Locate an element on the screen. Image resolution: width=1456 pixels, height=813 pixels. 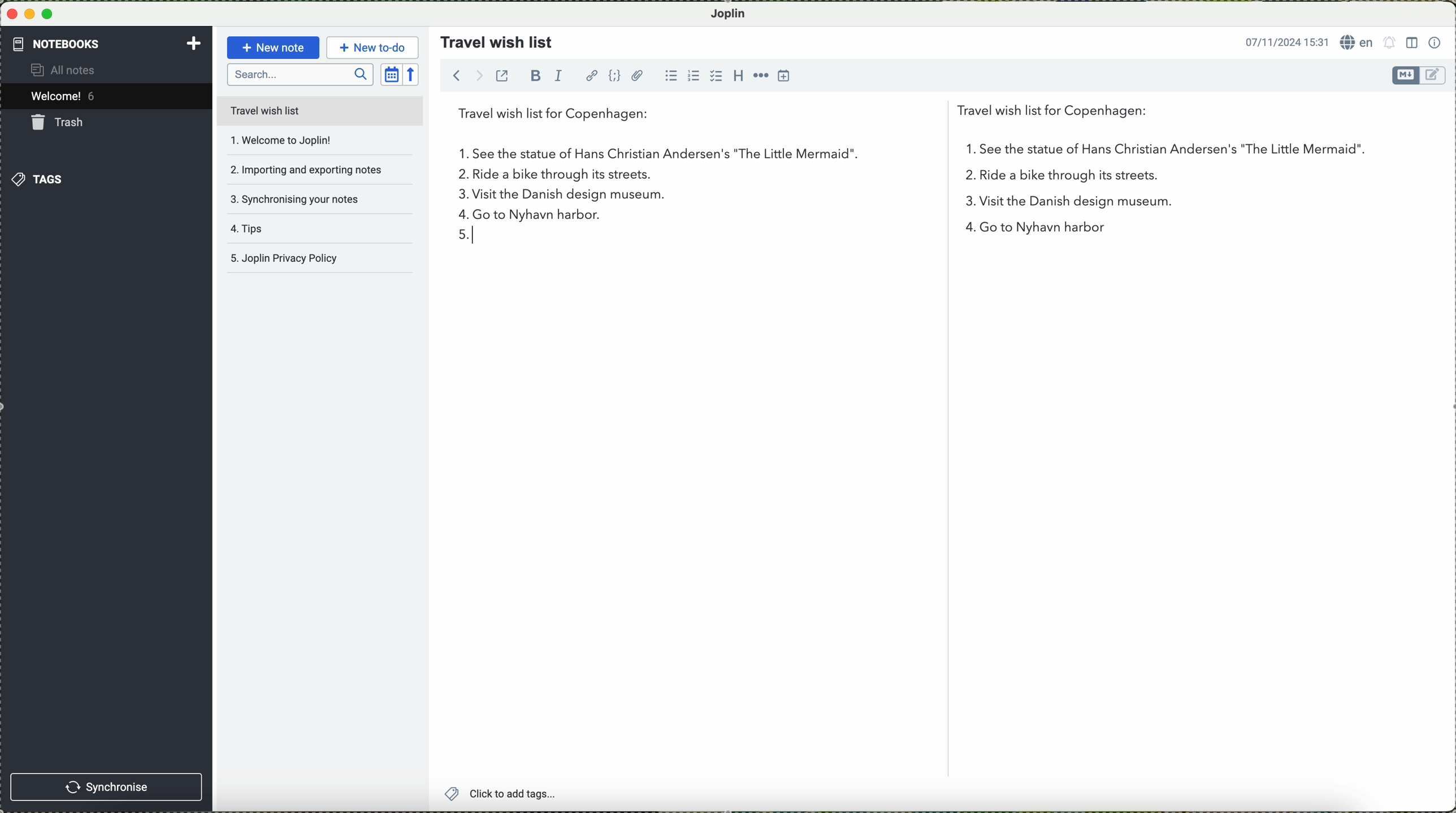
synchronise button is located at coordinates (108, 786).